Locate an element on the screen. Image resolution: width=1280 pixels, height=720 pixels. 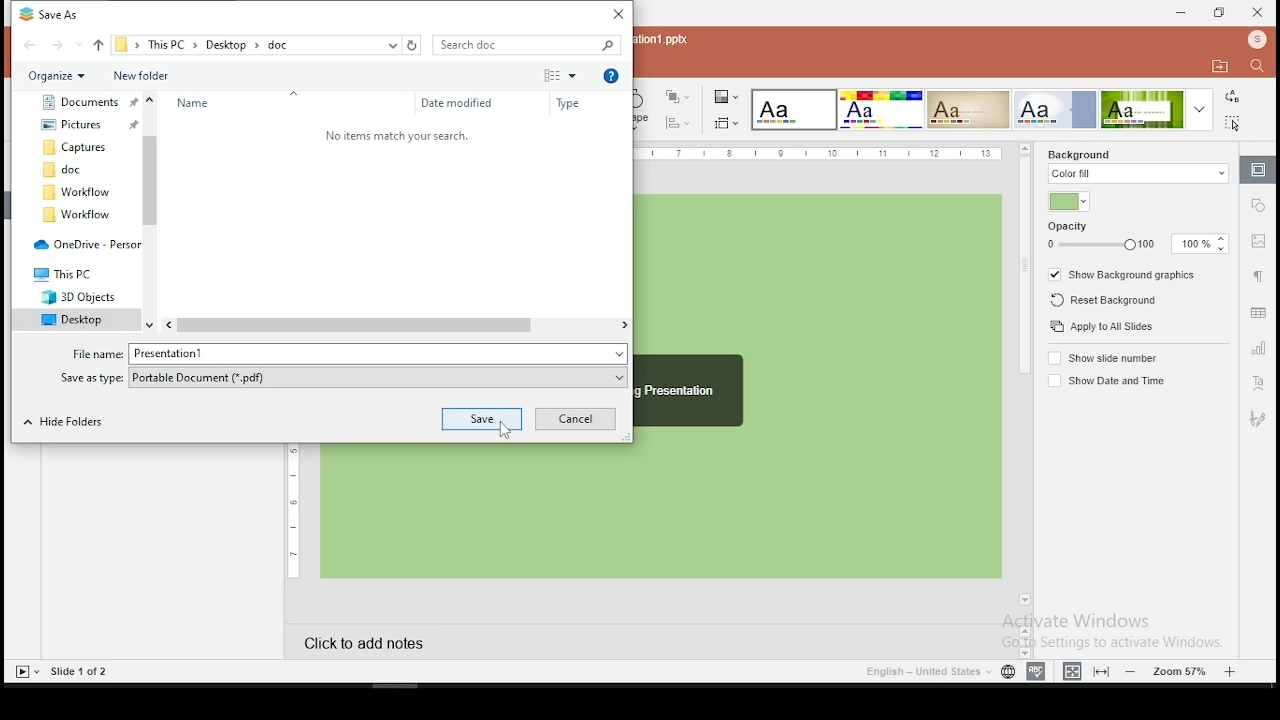
table settings is located at coordinates (1256, 312).